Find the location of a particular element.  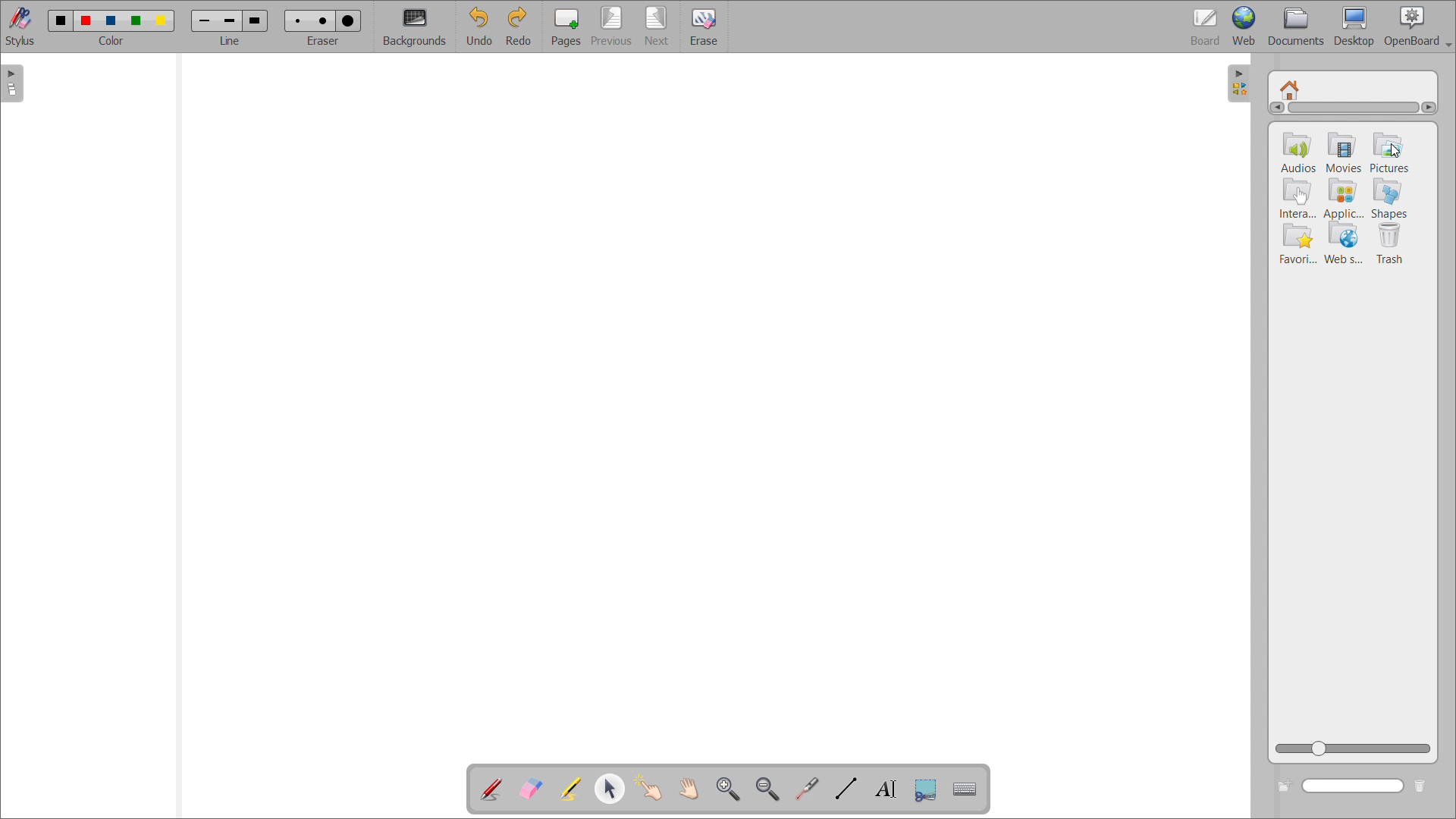

interact with items is located at coordinates (650, 787).